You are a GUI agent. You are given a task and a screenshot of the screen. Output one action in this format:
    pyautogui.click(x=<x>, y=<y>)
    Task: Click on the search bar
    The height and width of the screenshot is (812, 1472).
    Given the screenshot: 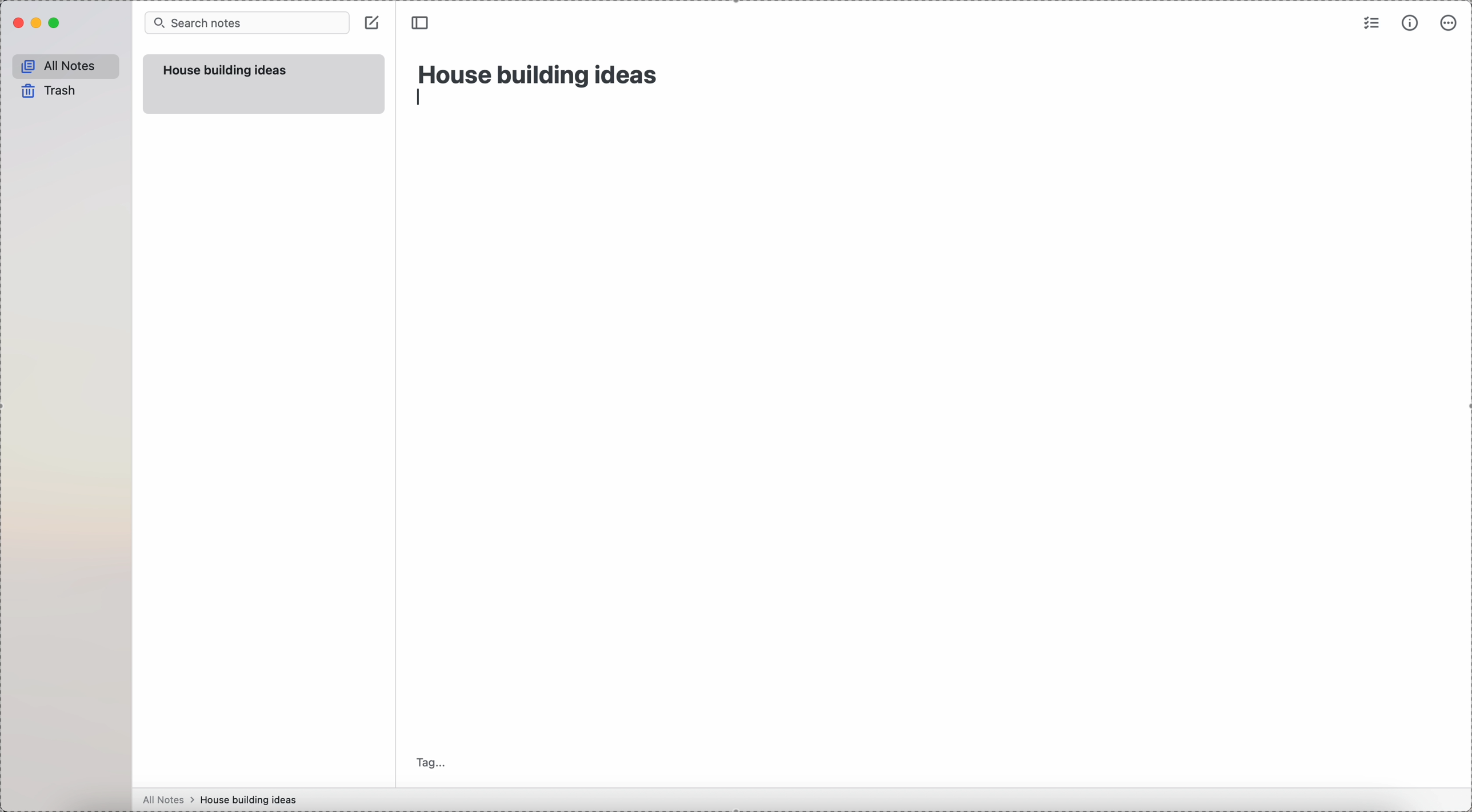 What is the action you would take?
    pyautogui.click(x=246, y=23)
    